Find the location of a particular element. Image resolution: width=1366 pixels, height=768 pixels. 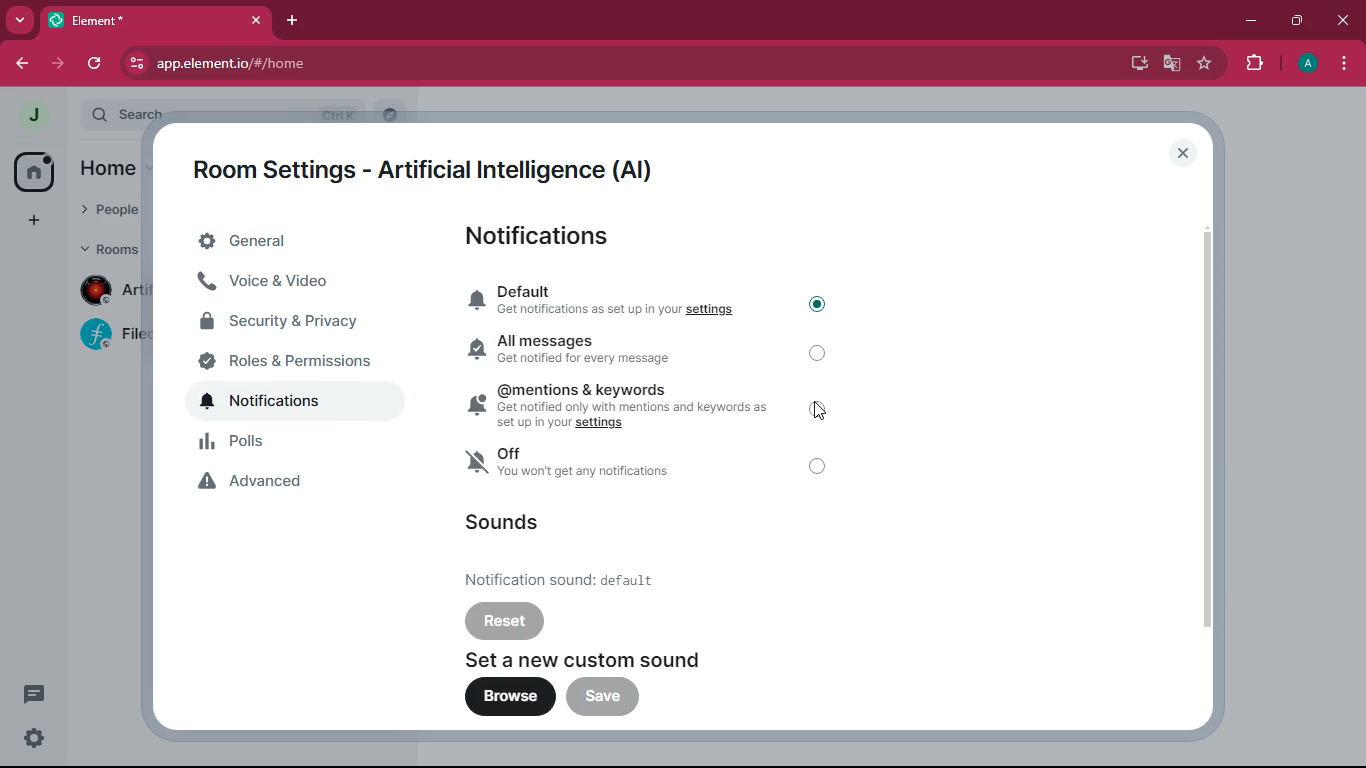

general is located at coordinates (288, 243).